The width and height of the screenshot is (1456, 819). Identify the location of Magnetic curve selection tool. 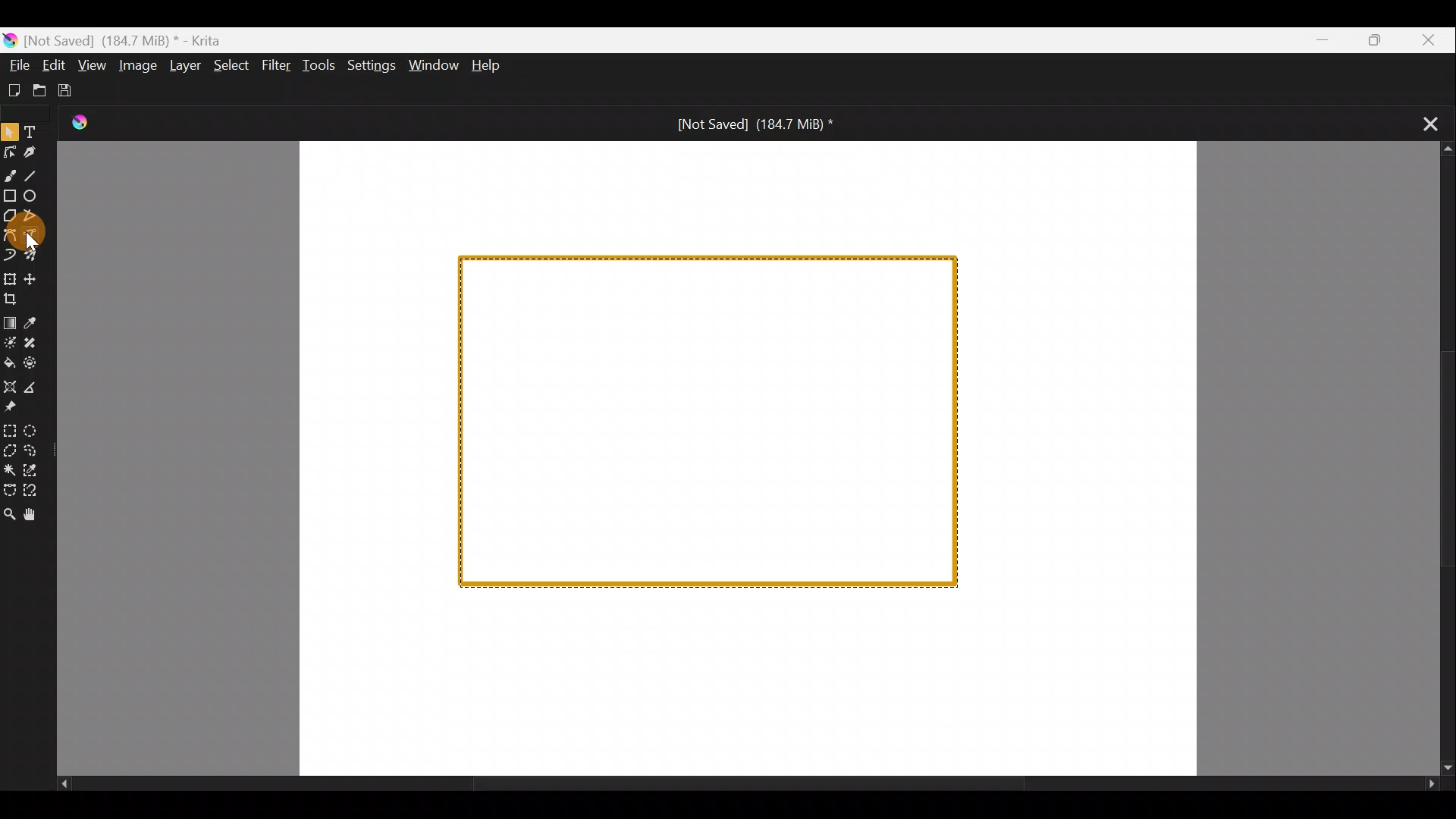
(35, 492).